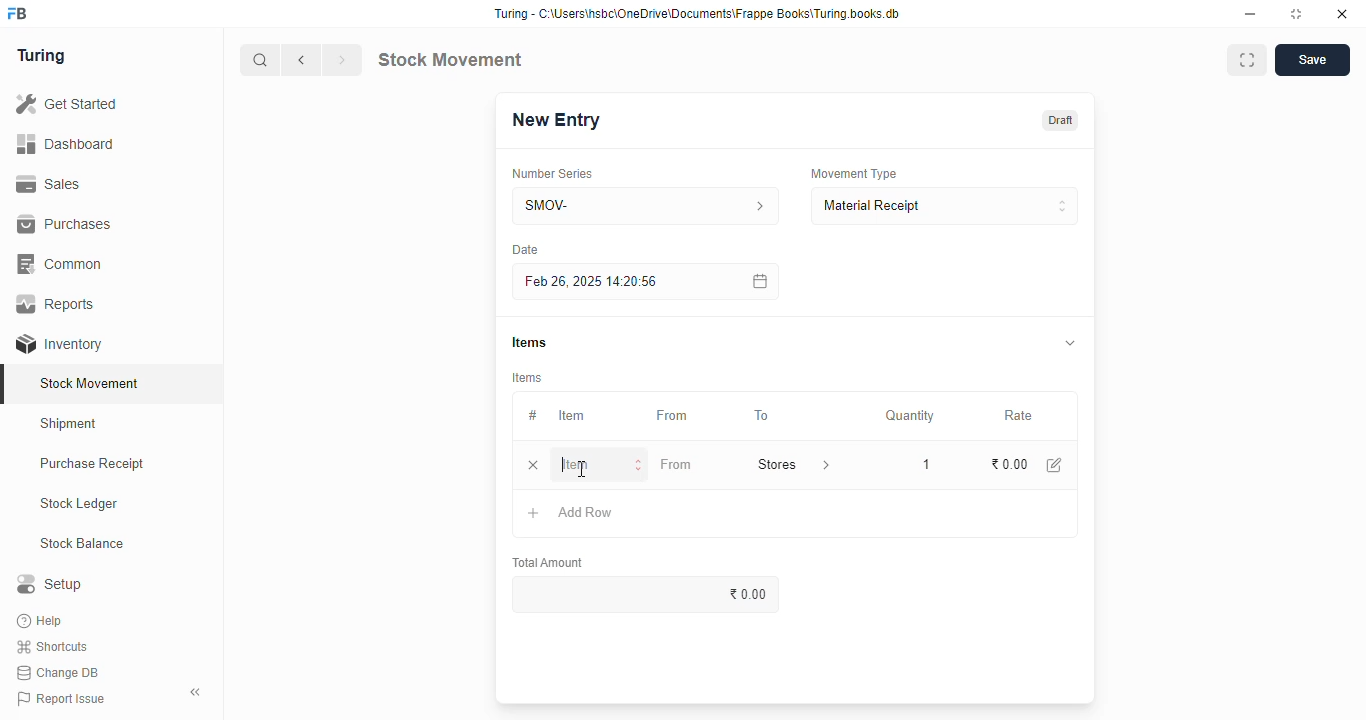 Image resolution: width=1366 pixels, height=720 pixels. What do you see at coordinates (580, 469) in the screenshot?
I see `cursor` at bounding box center [580, 469].